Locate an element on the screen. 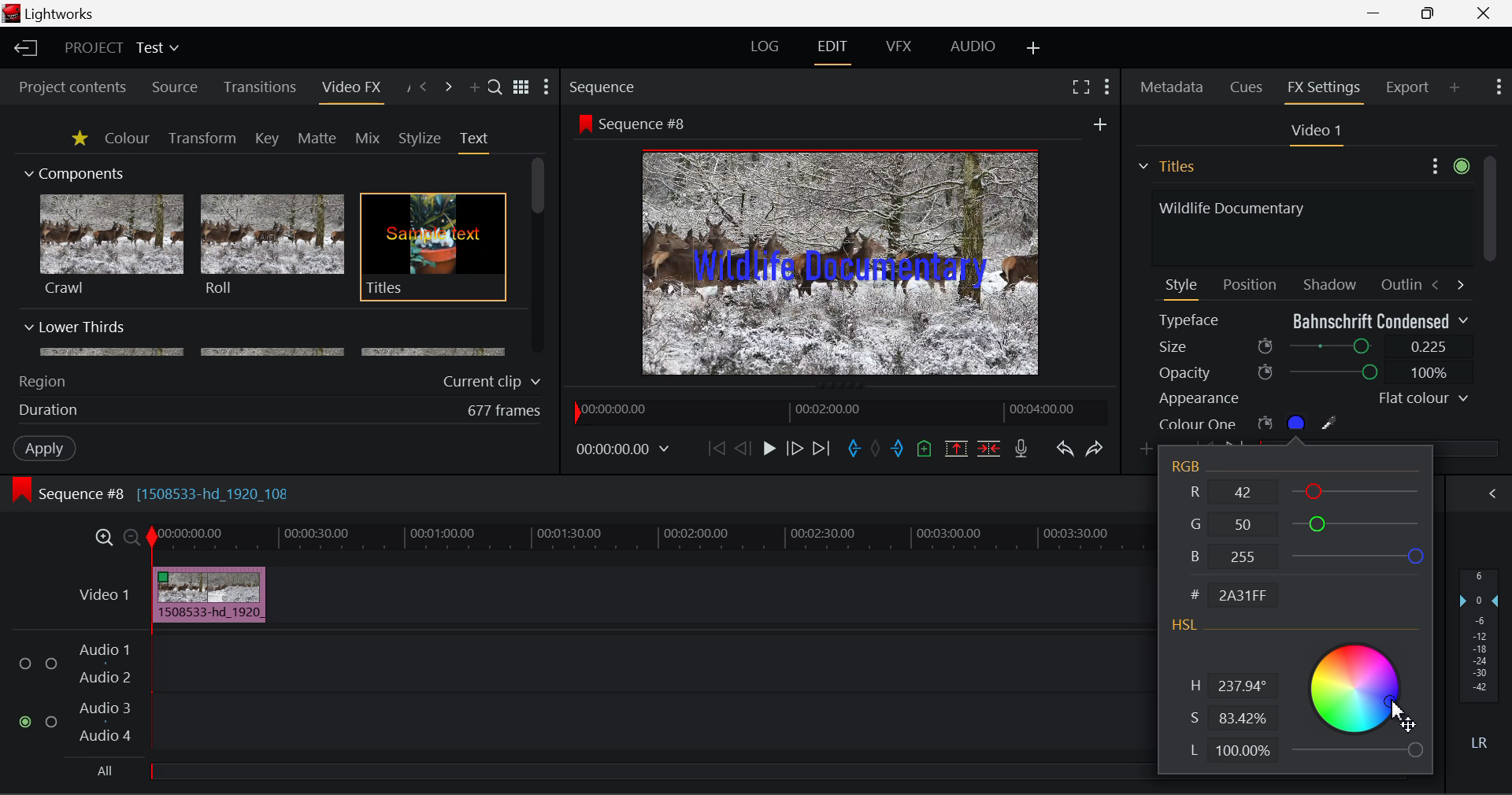 This screenshot has width=1512, height=795. Remove Marked Section is located at coordinates (956, 449).